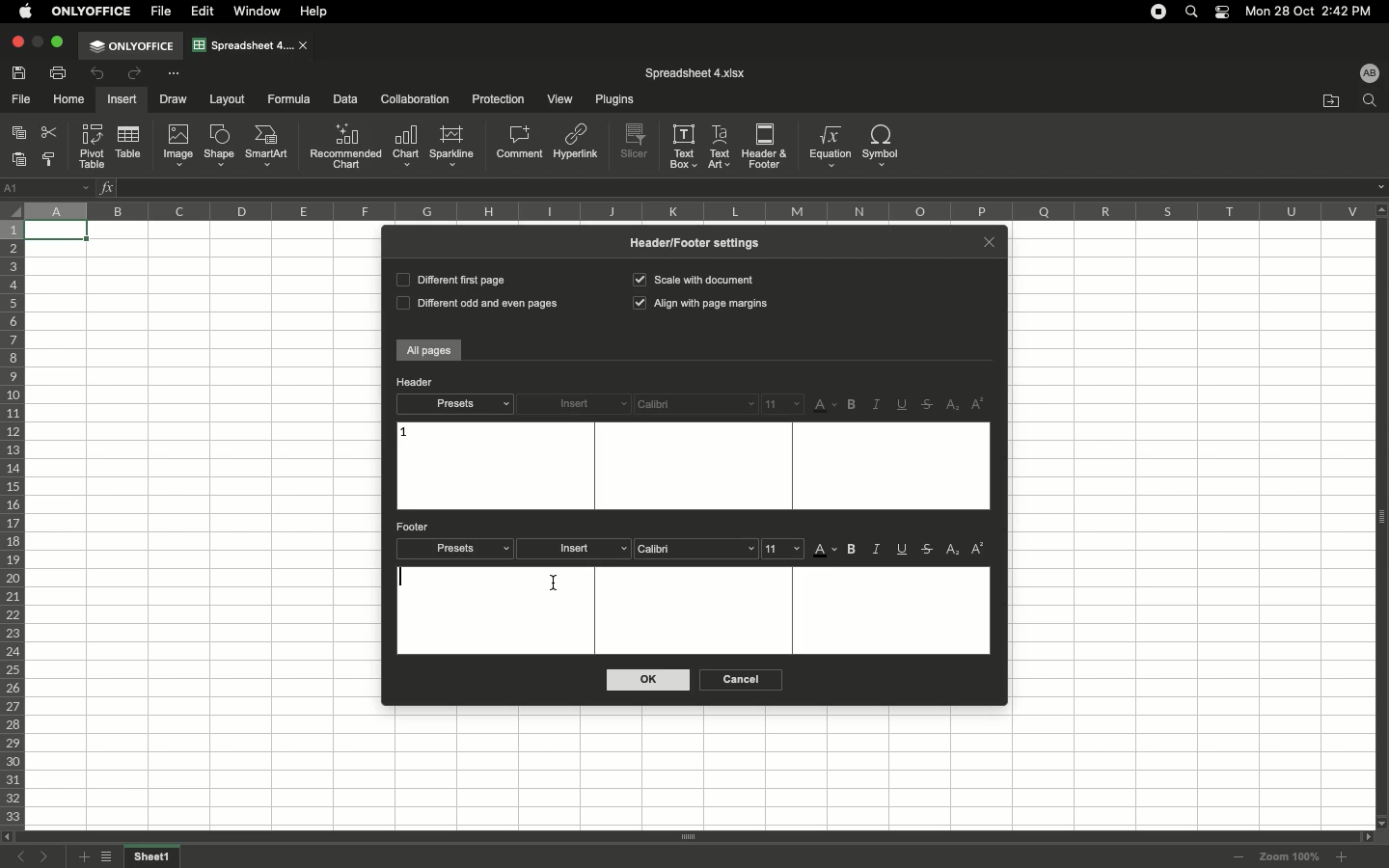 The height and width of the screenshot is (868, 1389). I want to click on Cut, so click(51, 132).